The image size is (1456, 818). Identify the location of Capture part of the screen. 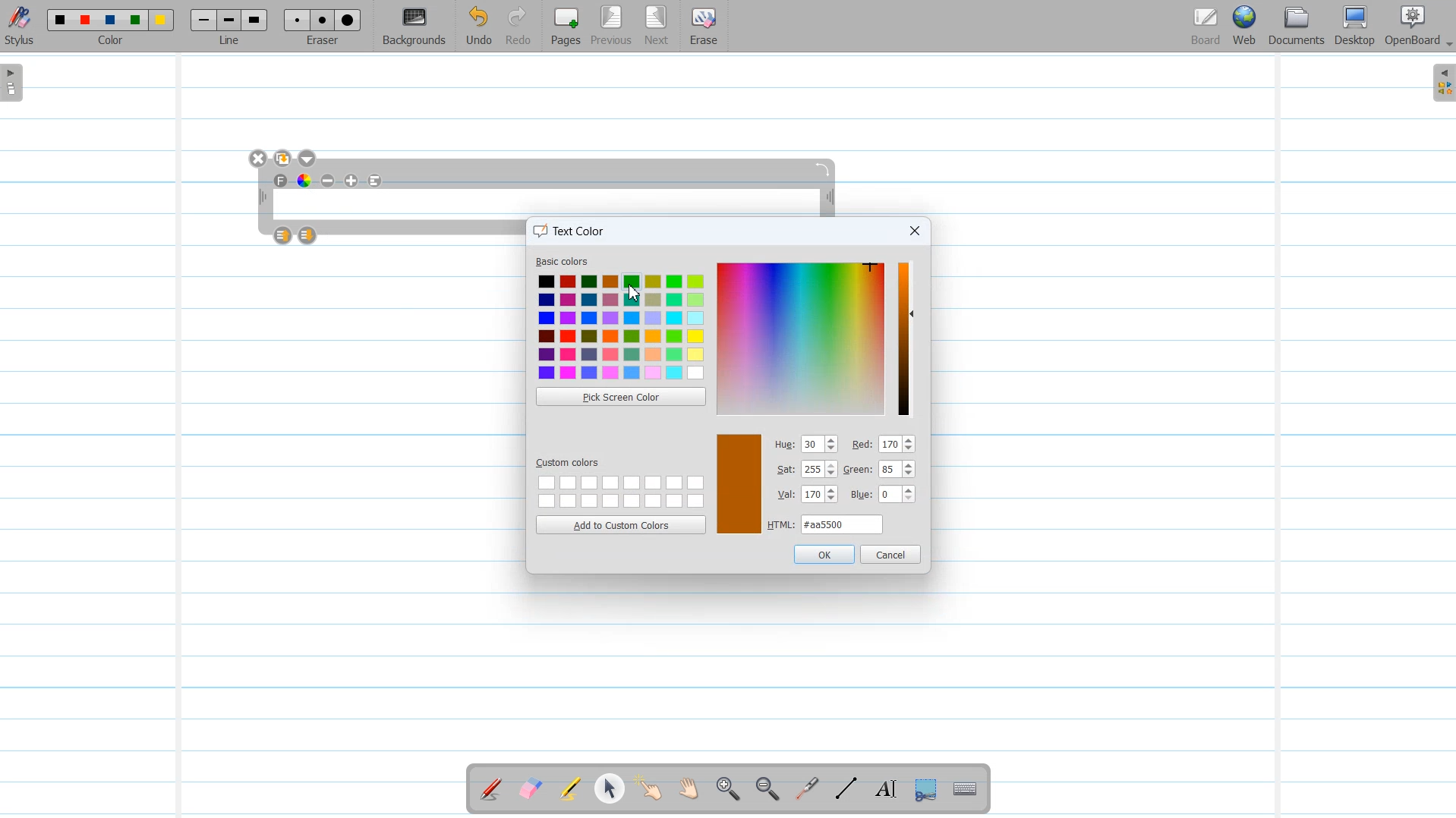
(924, 790).